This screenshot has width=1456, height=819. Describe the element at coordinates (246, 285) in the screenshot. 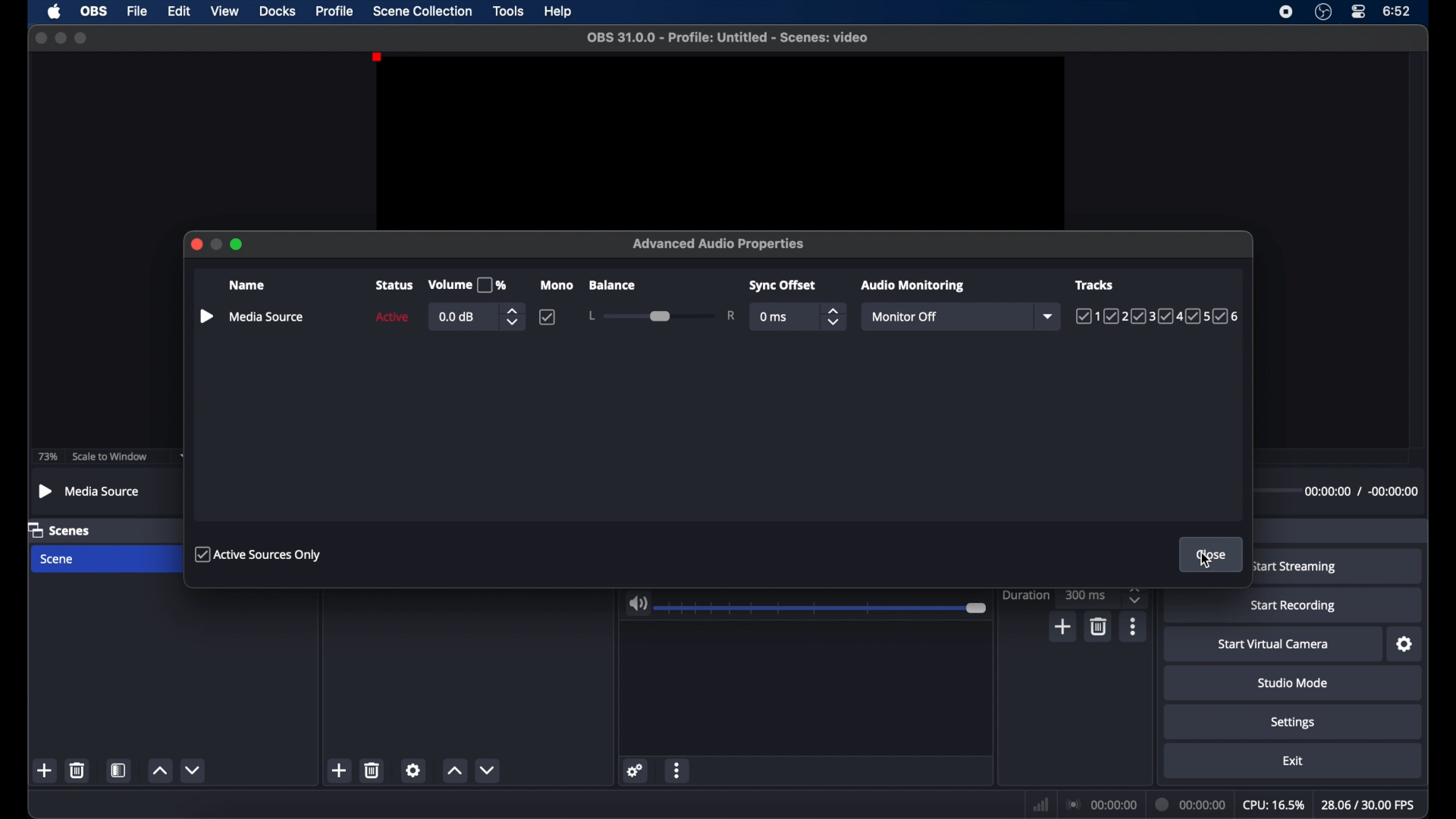

I see `name` at that location.